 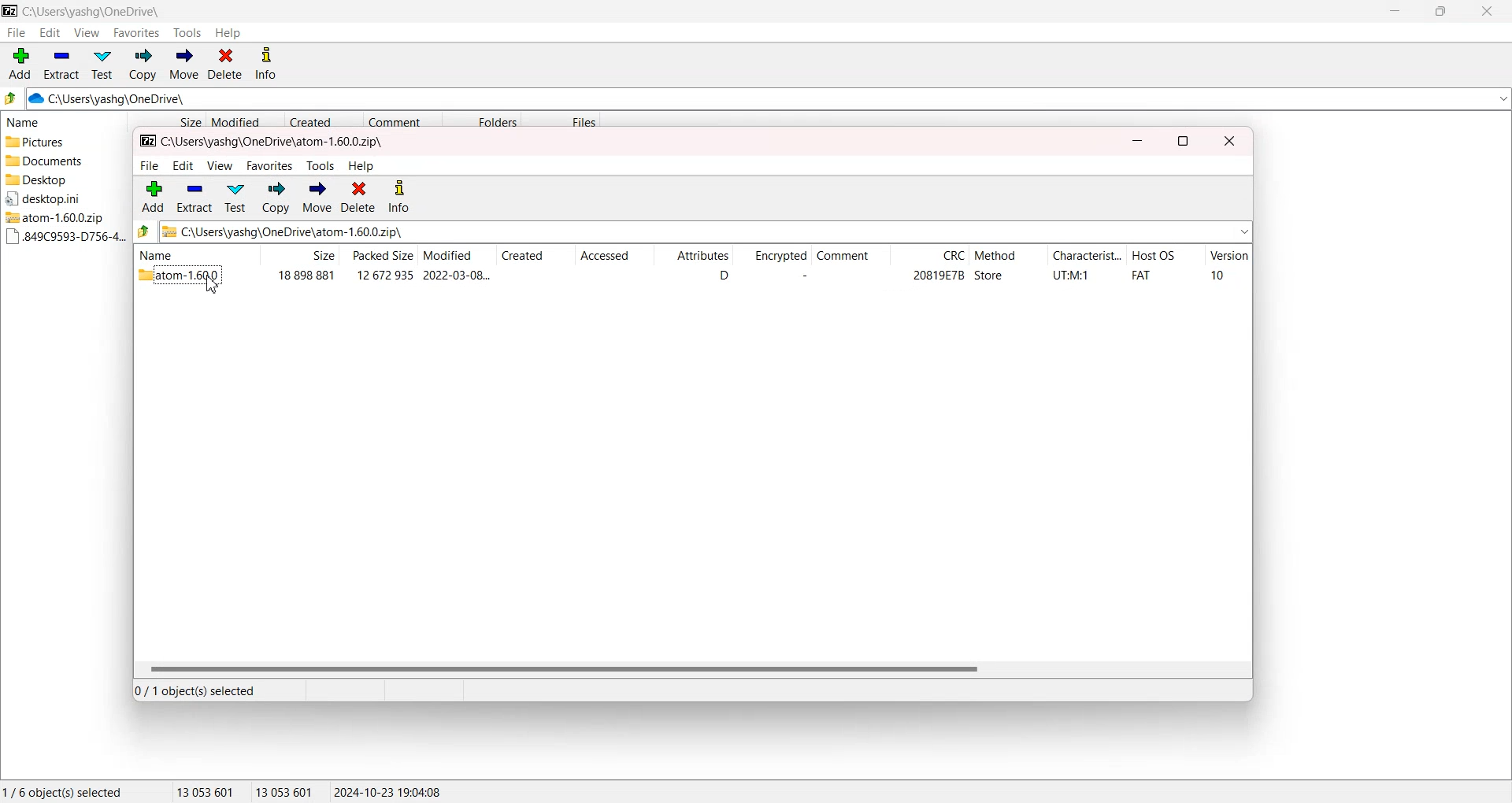 I want to click on Maximize, so click(x=1440, y=11).